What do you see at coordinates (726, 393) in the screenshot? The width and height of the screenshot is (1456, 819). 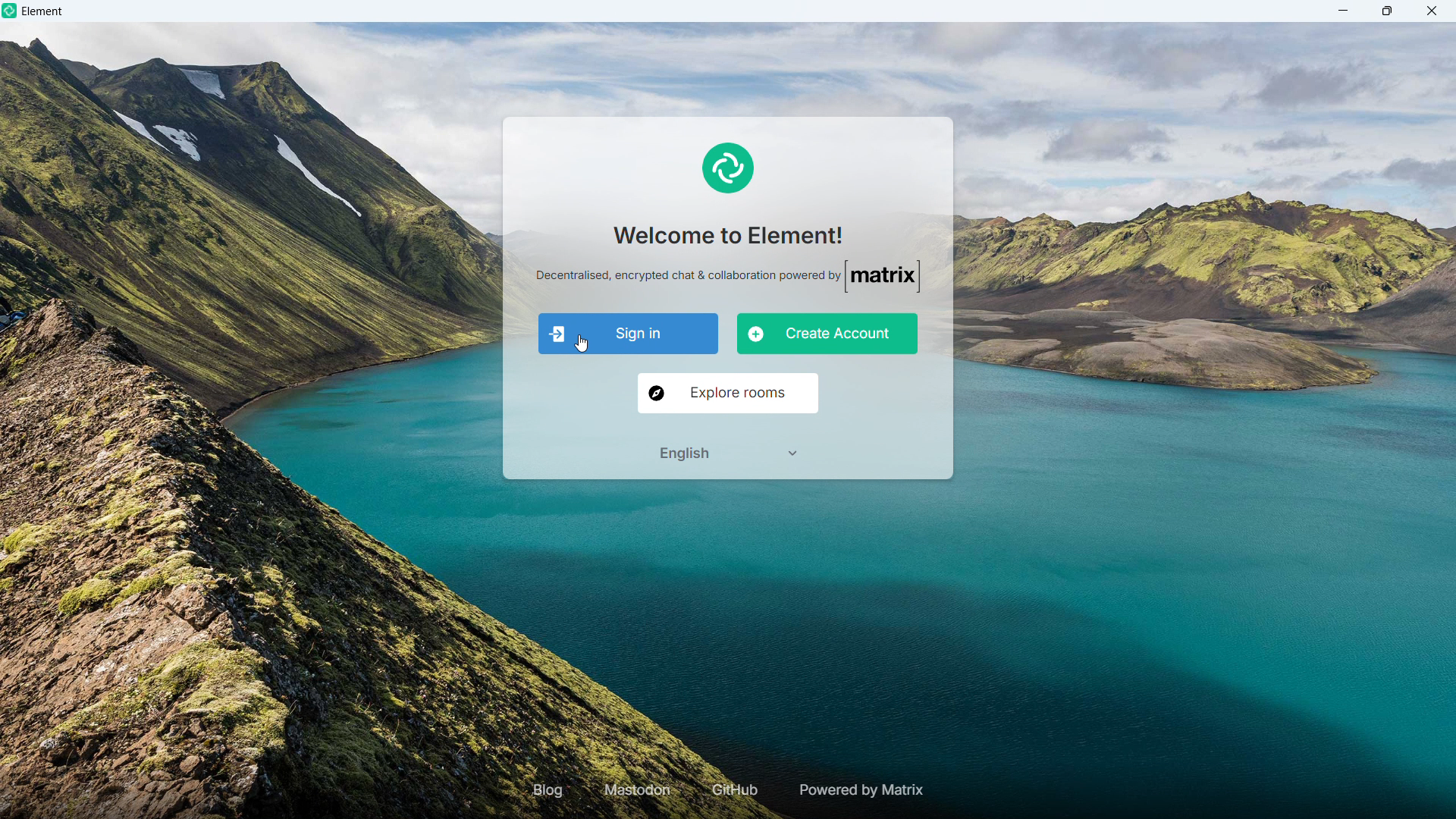 I see `Explore rooms ` at bounding box center [726, 393].